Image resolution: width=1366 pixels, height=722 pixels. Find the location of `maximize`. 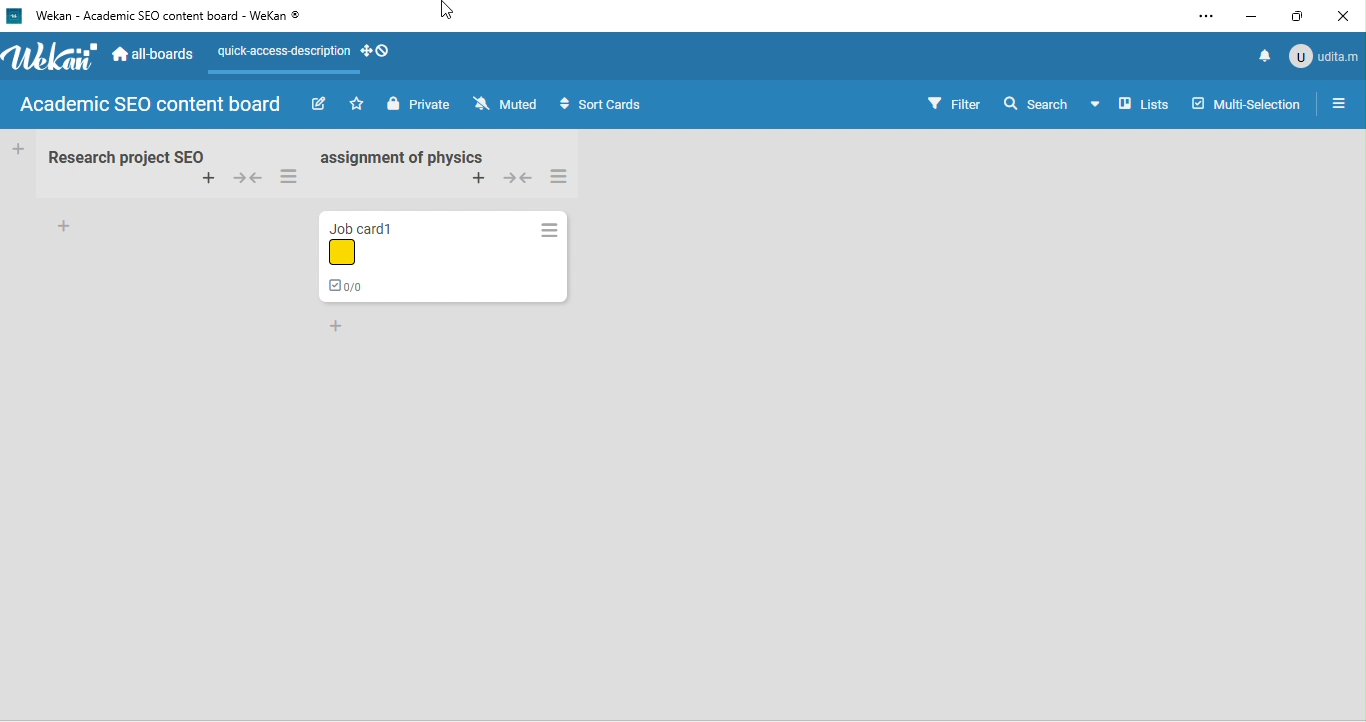

maximize is located at coordinates (1306, 17).